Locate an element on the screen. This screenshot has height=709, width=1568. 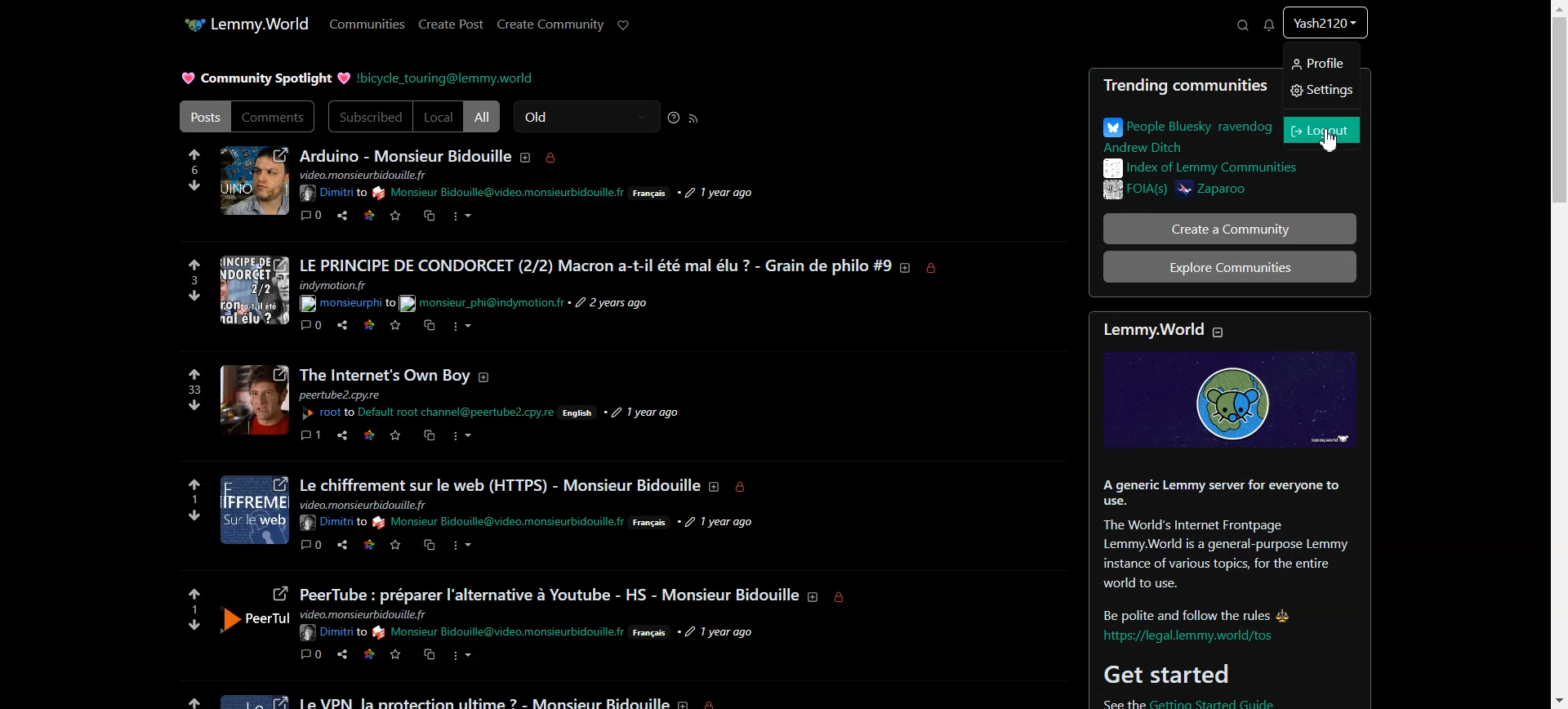
Settings is located at coordinates (1320, 91).